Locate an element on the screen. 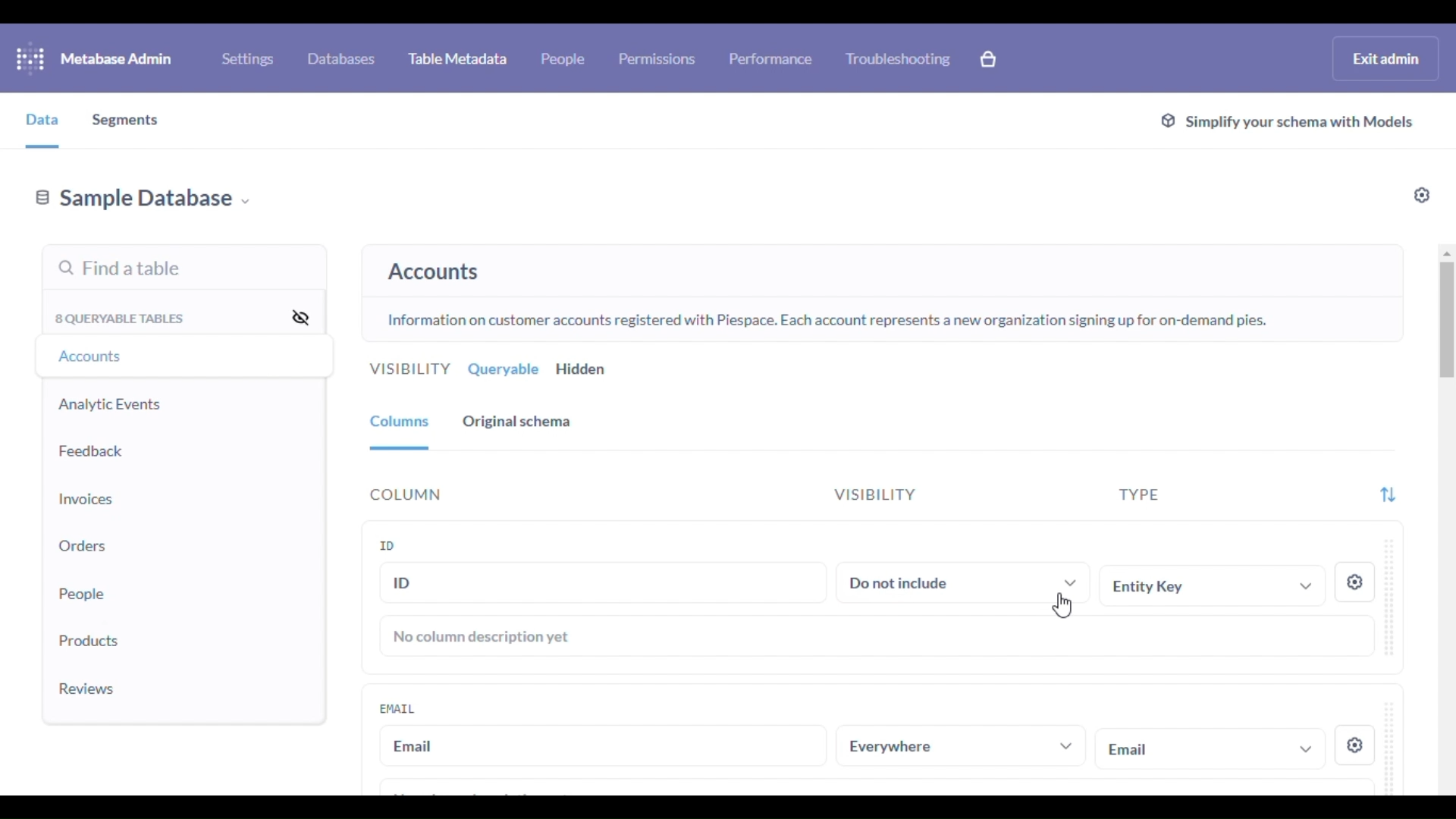  no column description yet is located at coordinates (483, 637).